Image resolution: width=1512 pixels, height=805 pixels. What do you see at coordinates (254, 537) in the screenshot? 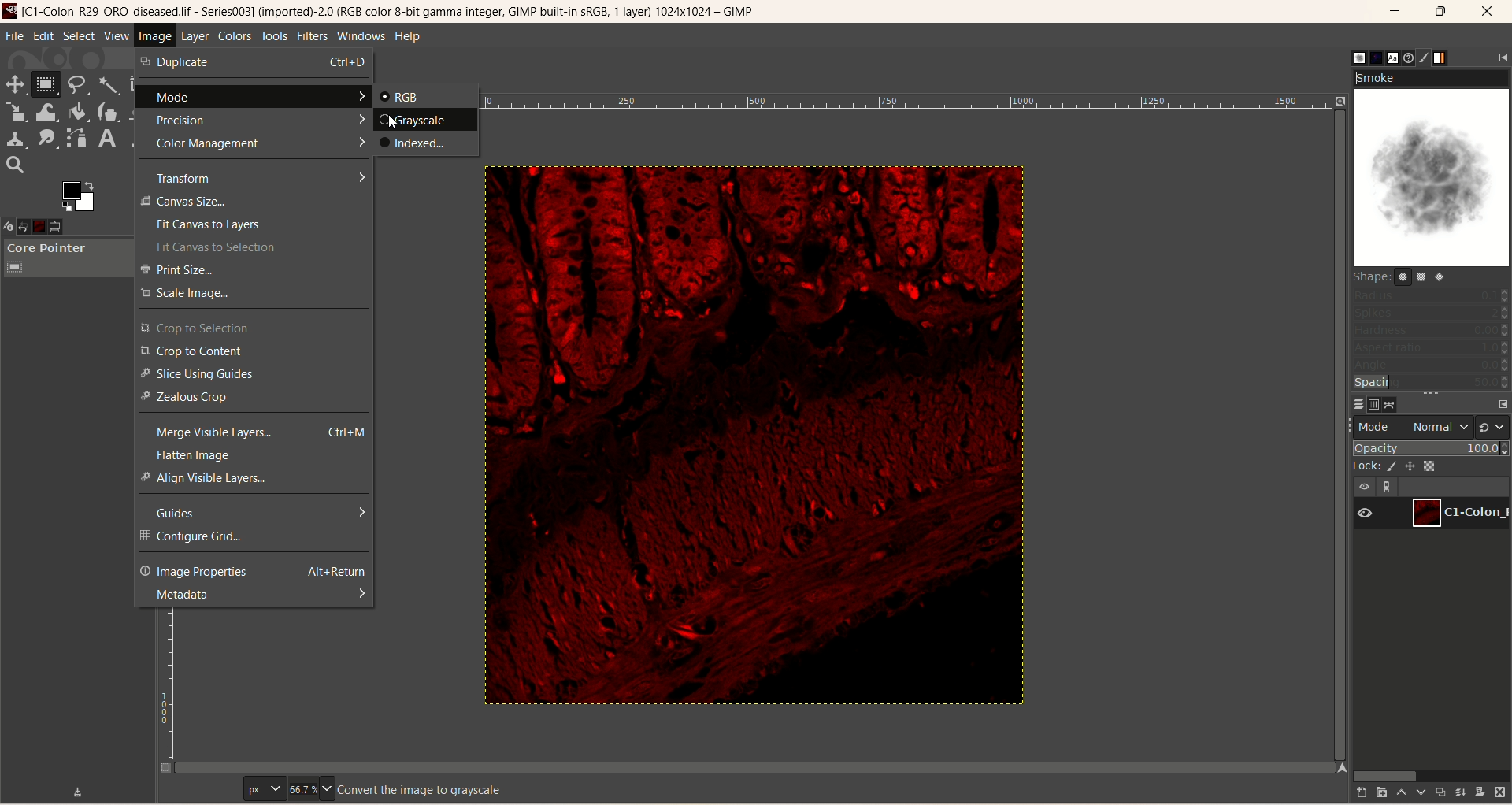
I see `configure grid` at bounding box center [254, 537].